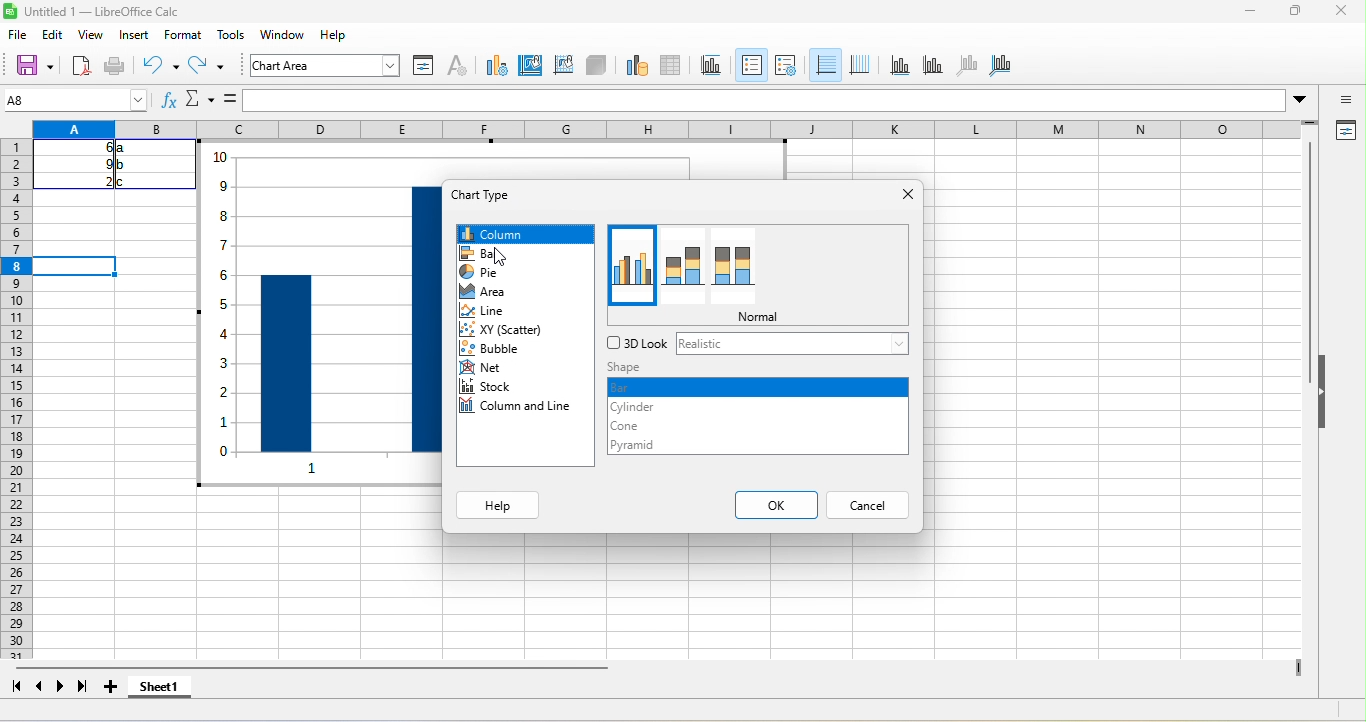 Image resolution: width=1366 pixels, height=722 pixels. What do you see at coordinates (19, 421) in the screenshot?
I see `rows` at bounding box center [19, 421].